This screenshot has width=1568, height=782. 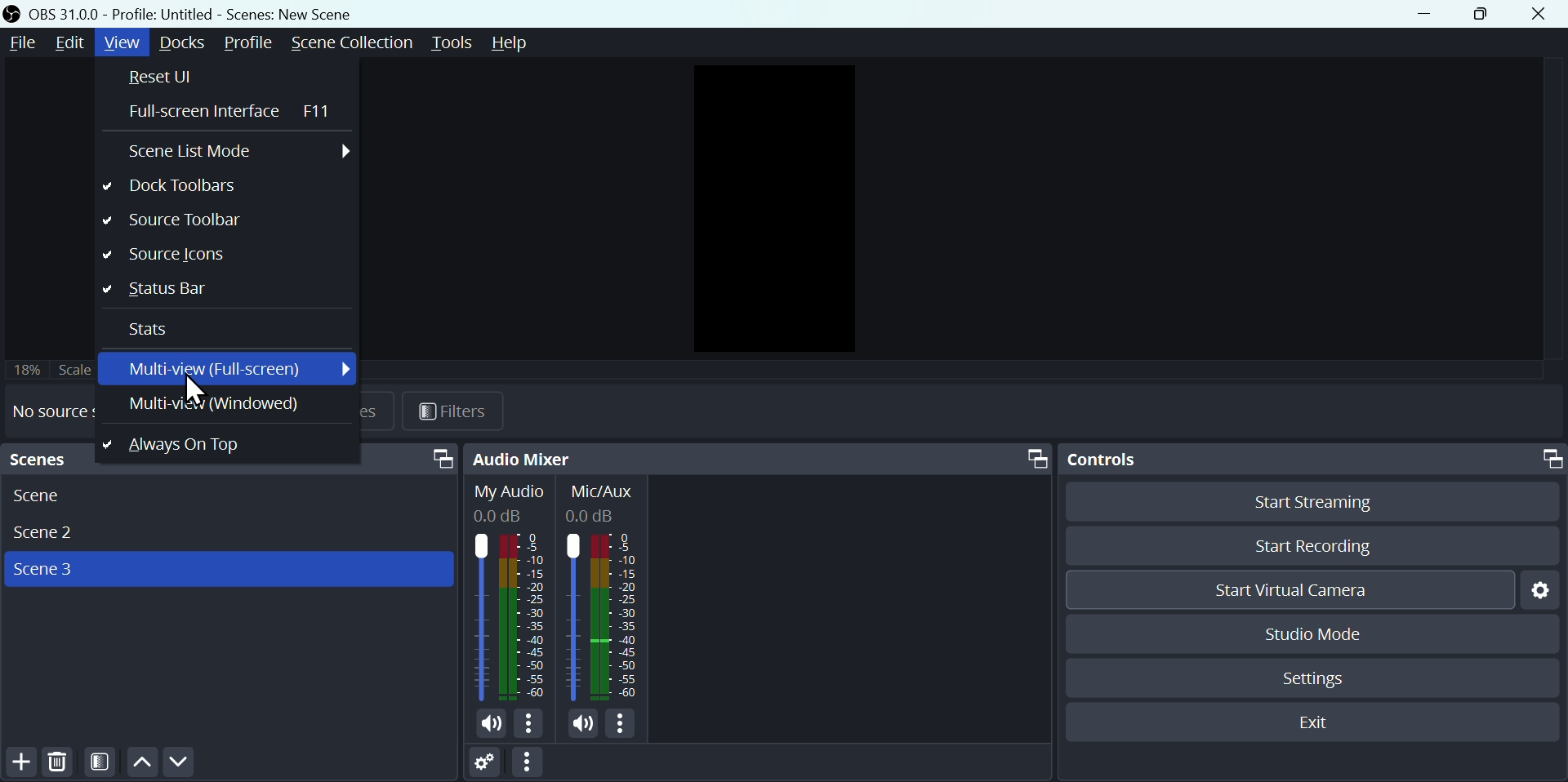 What do you see at coordinates (520, 43) in the screenshot?
I see `Help` at bounding box center [520, 43].